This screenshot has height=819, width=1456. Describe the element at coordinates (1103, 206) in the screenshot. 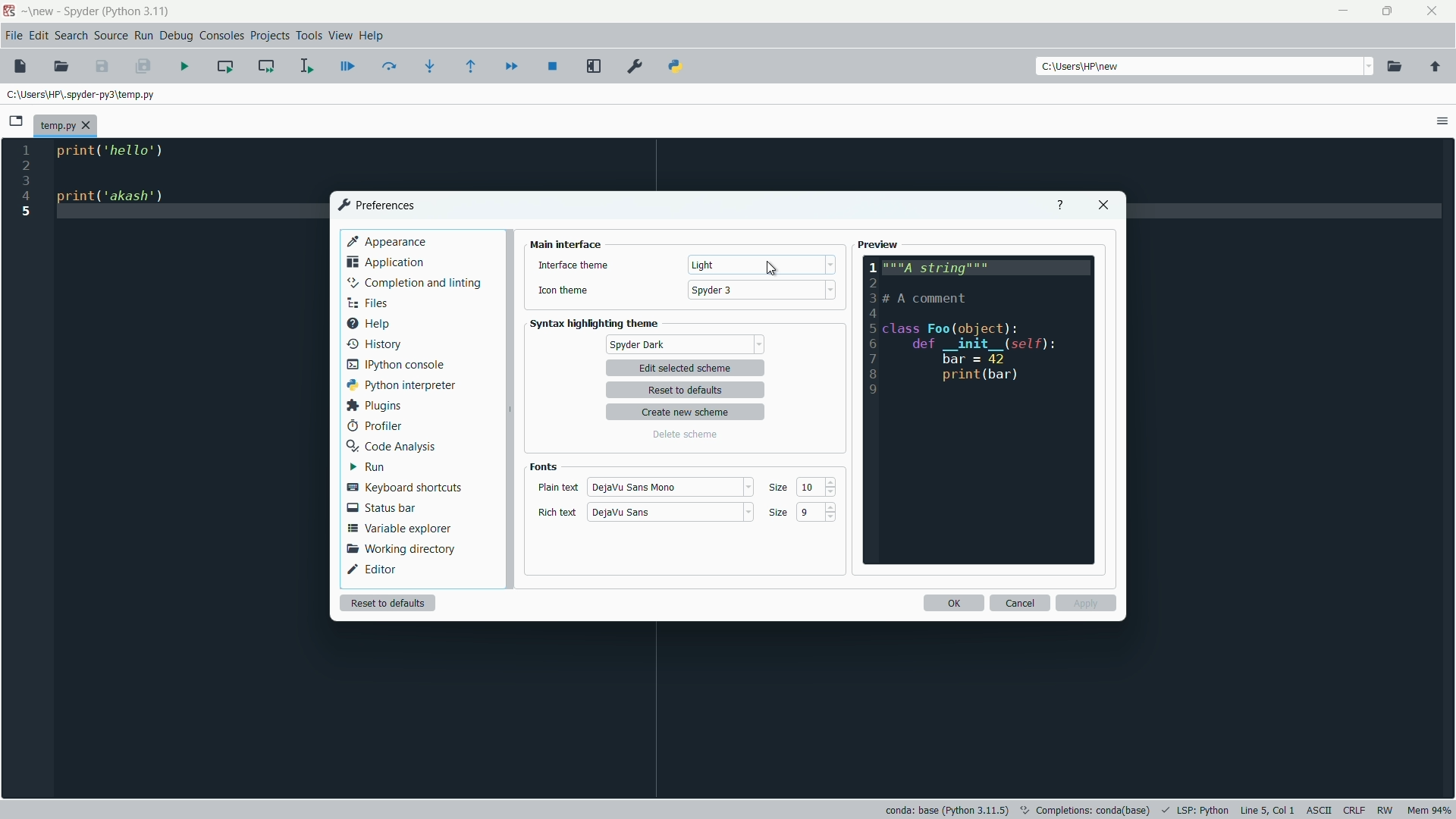

I see `close` at that location.